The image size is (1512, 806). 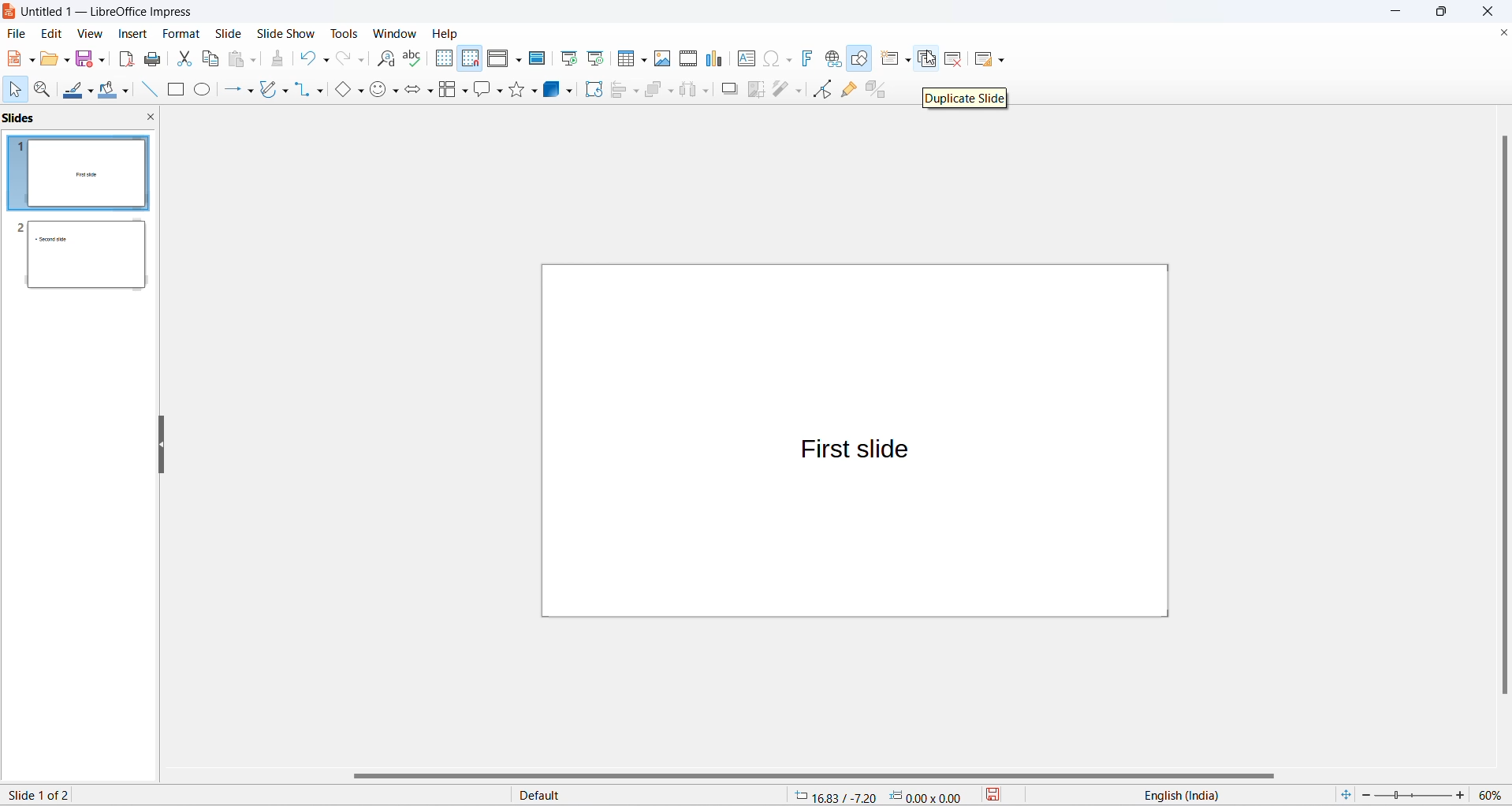 I want to click on redo, so click(x=344, y=58).